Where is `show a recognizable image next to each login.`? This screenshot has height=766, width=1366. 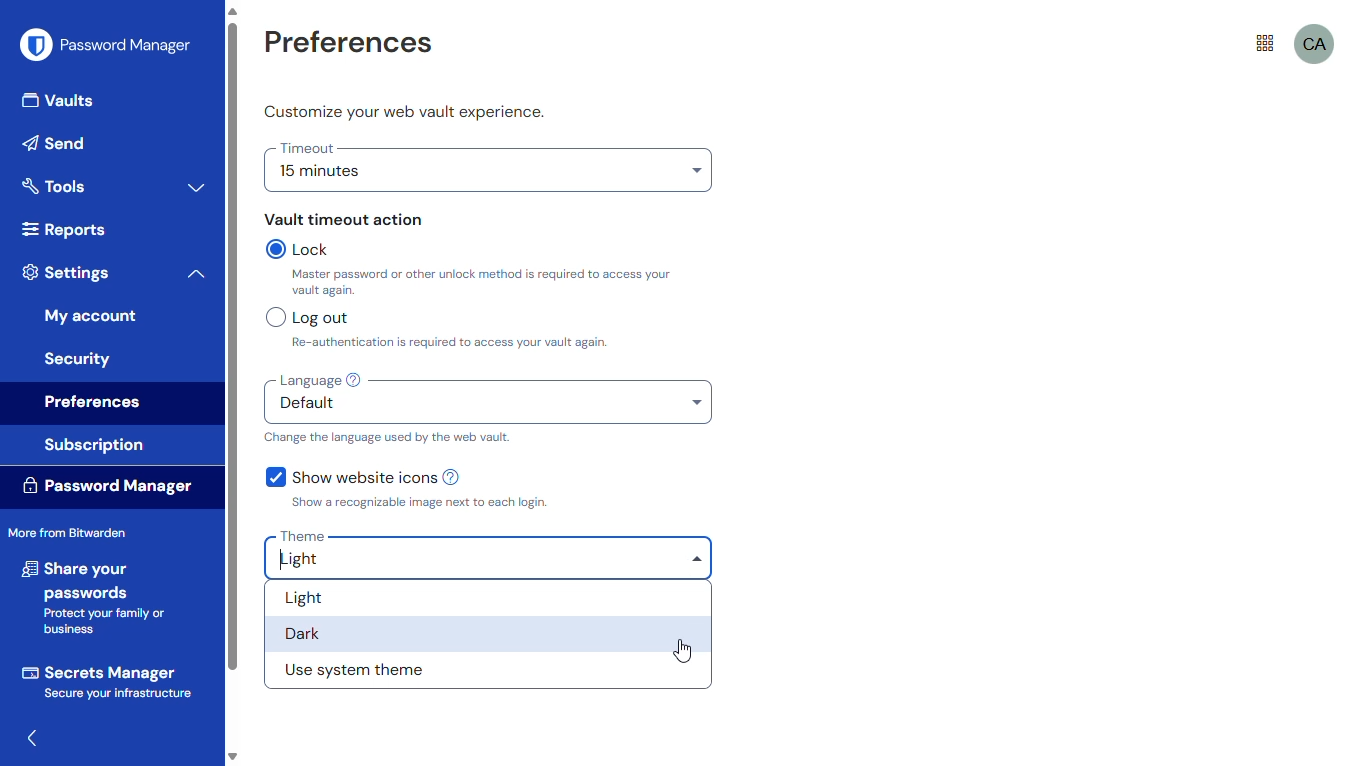 show a recognizable image next to each login. is located at coordinates (417, 503).